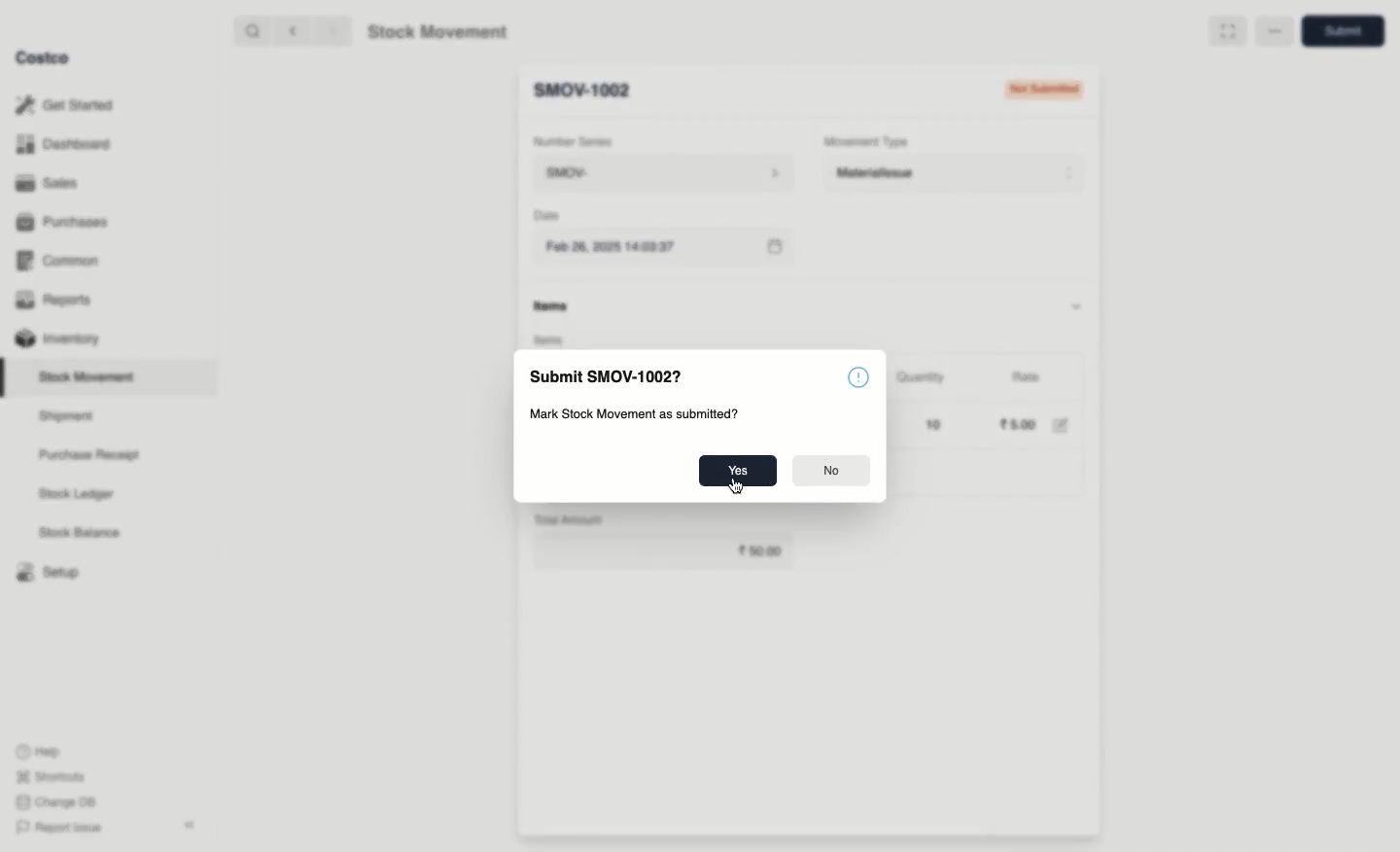 The image size is (1400, 852). What do you see at coordinates (663, 172) in the screenshot?
I see `SMOV-` at bounding box center [663, 172].